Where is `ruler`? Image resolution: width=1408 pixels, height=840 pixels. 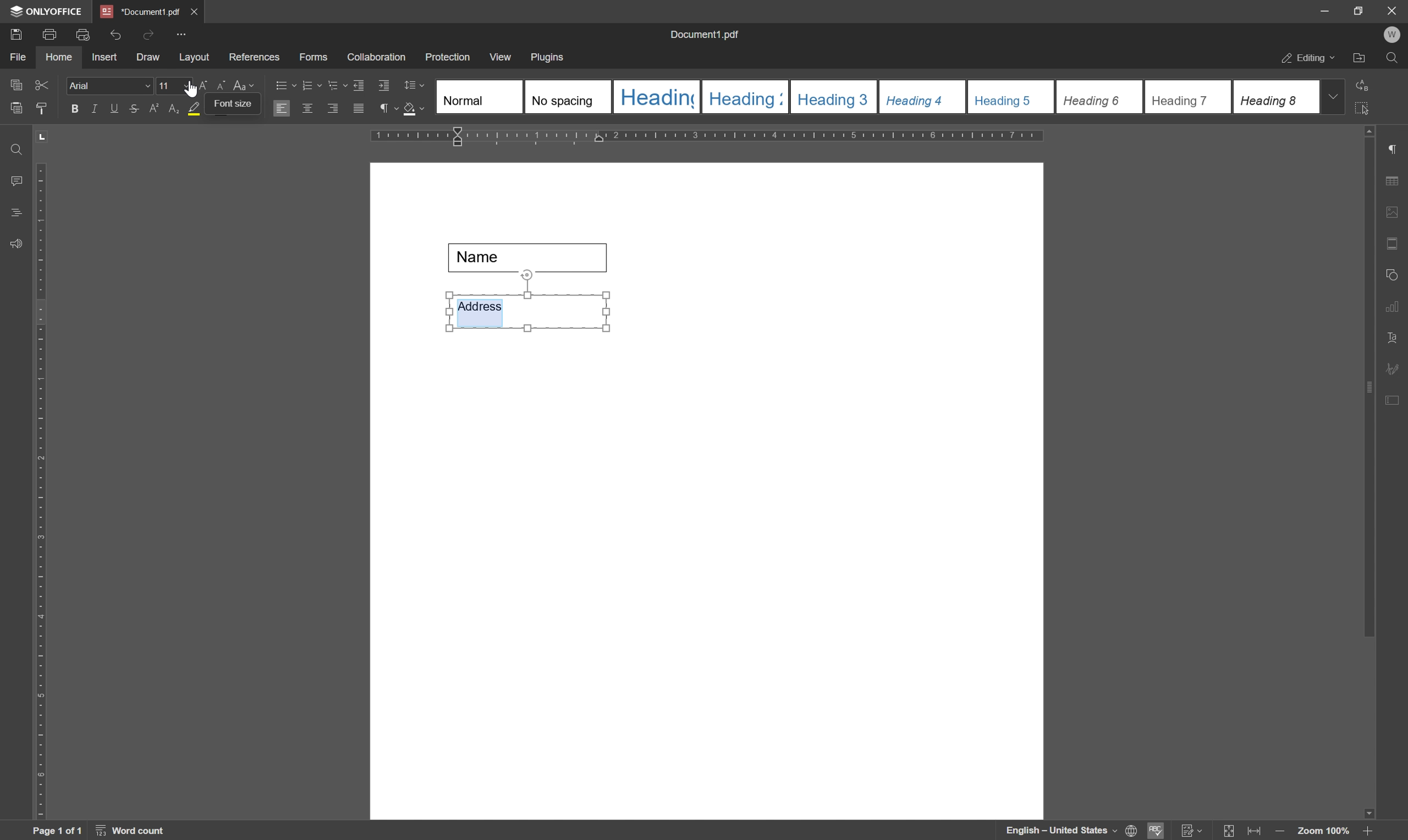 ruler is located at coordinates (40, 488).